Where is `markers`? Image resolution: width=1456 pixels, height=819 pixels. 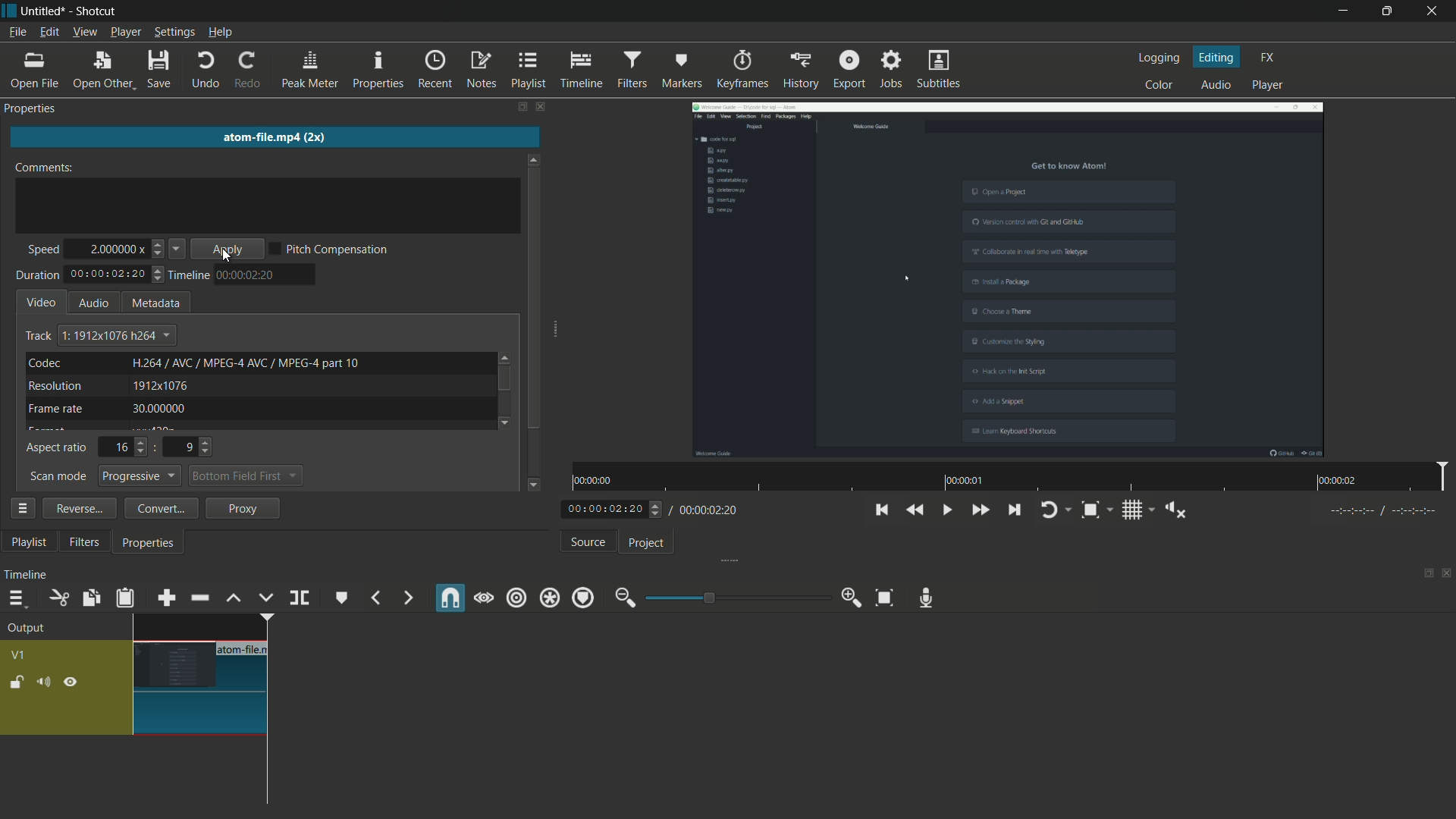
markers is located at coordinates (683, 71).